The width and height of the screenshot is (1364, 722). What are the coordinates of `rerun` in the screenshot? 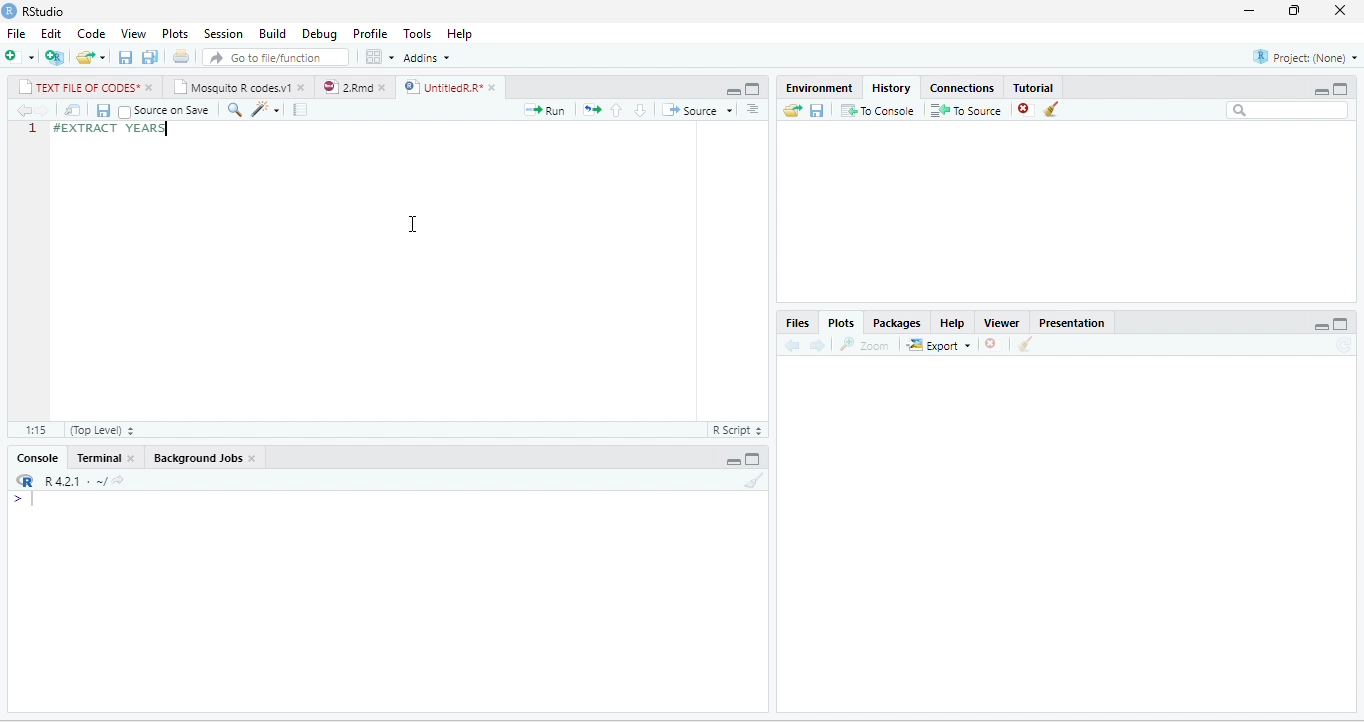 It's located at (591, 109).